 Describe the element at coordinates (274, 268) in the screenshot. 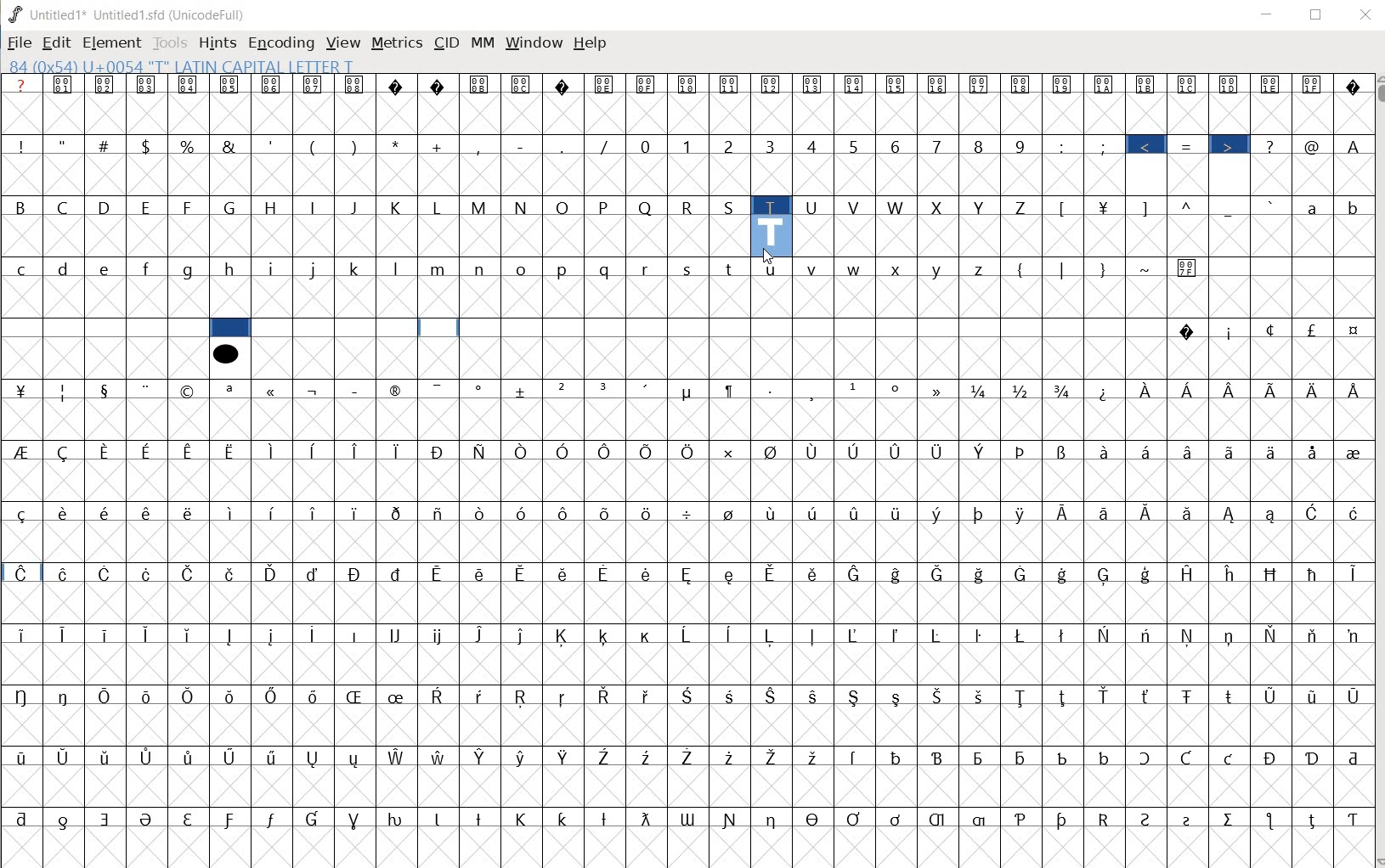

I see `i` at that location.